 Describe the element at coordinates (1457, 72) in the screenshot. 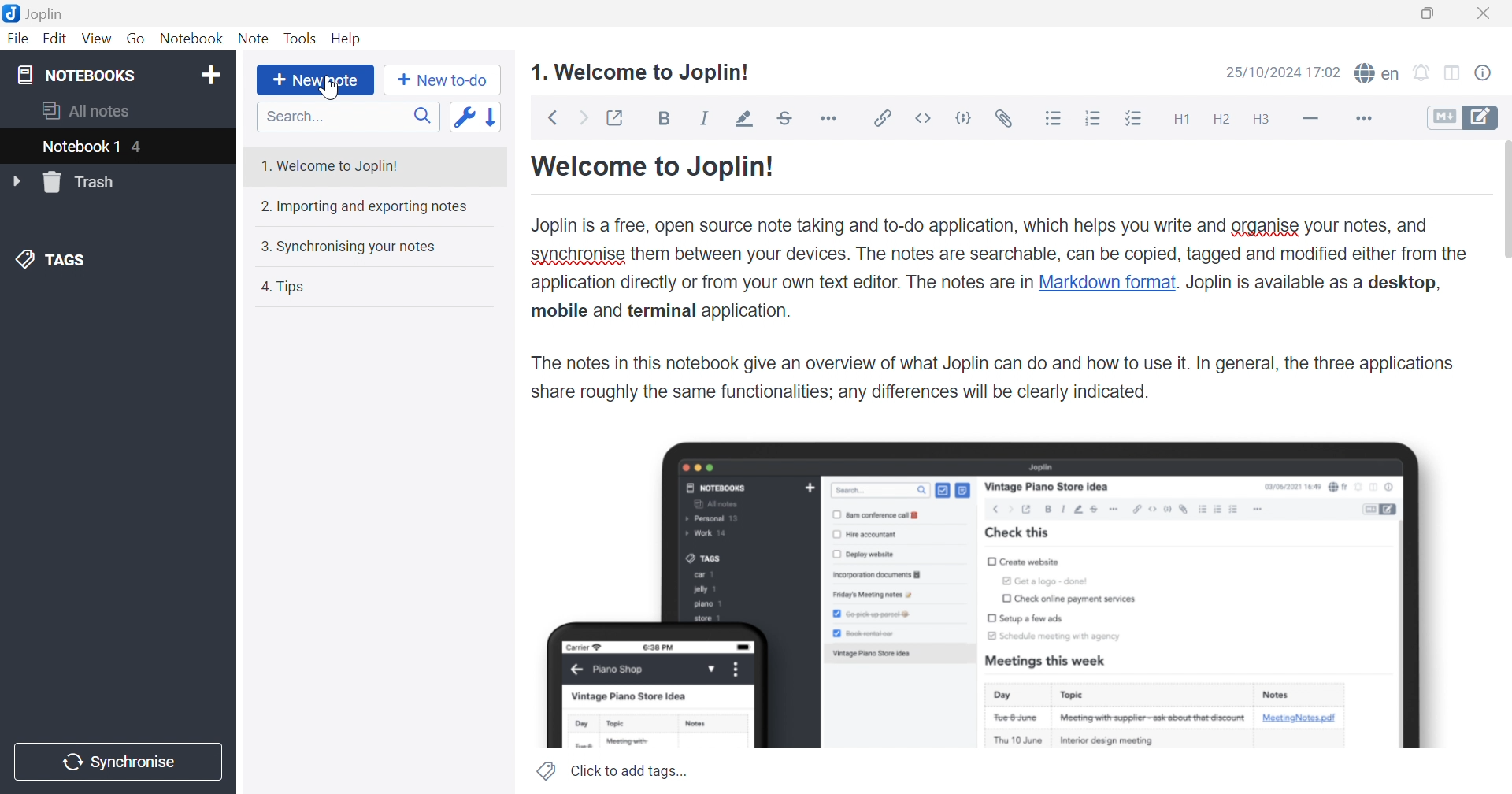

I see `Toggle editor layout` at that location.